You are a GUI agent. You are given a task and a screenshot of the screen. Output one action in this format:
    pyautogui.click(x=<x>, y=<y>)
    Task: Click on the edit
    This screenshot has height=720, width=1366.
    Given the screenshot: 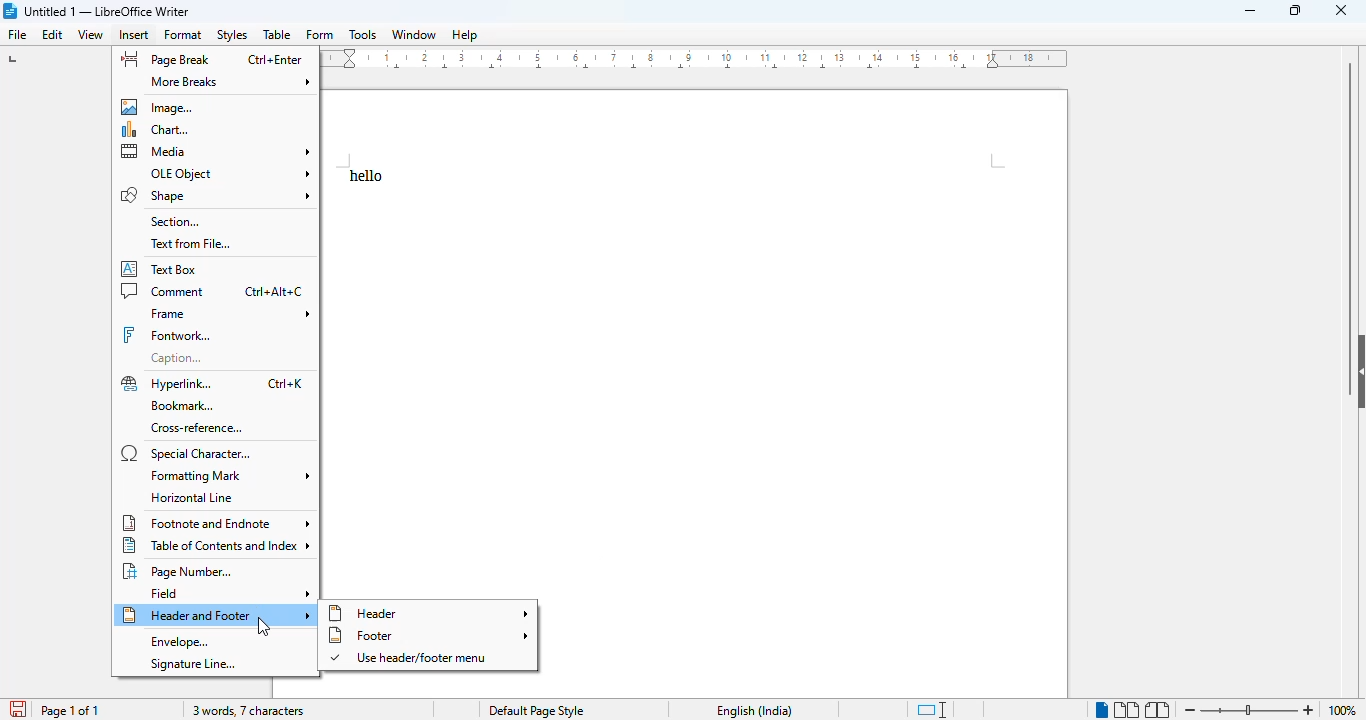 What is the action you would take?
    pyautogui.click(x=53, y=34)
    